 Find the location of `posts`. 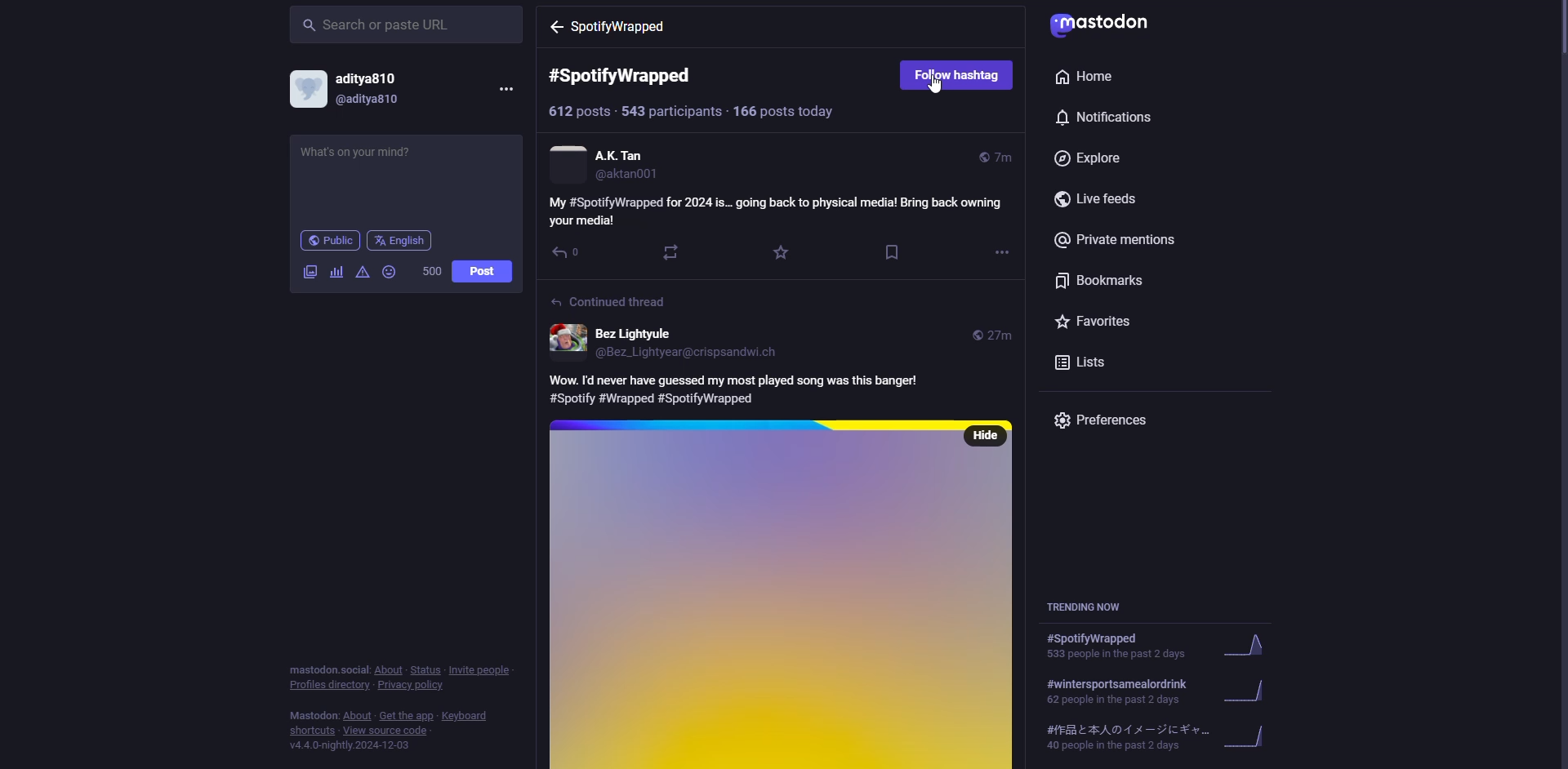

posts is located at coordinates (578, 112).